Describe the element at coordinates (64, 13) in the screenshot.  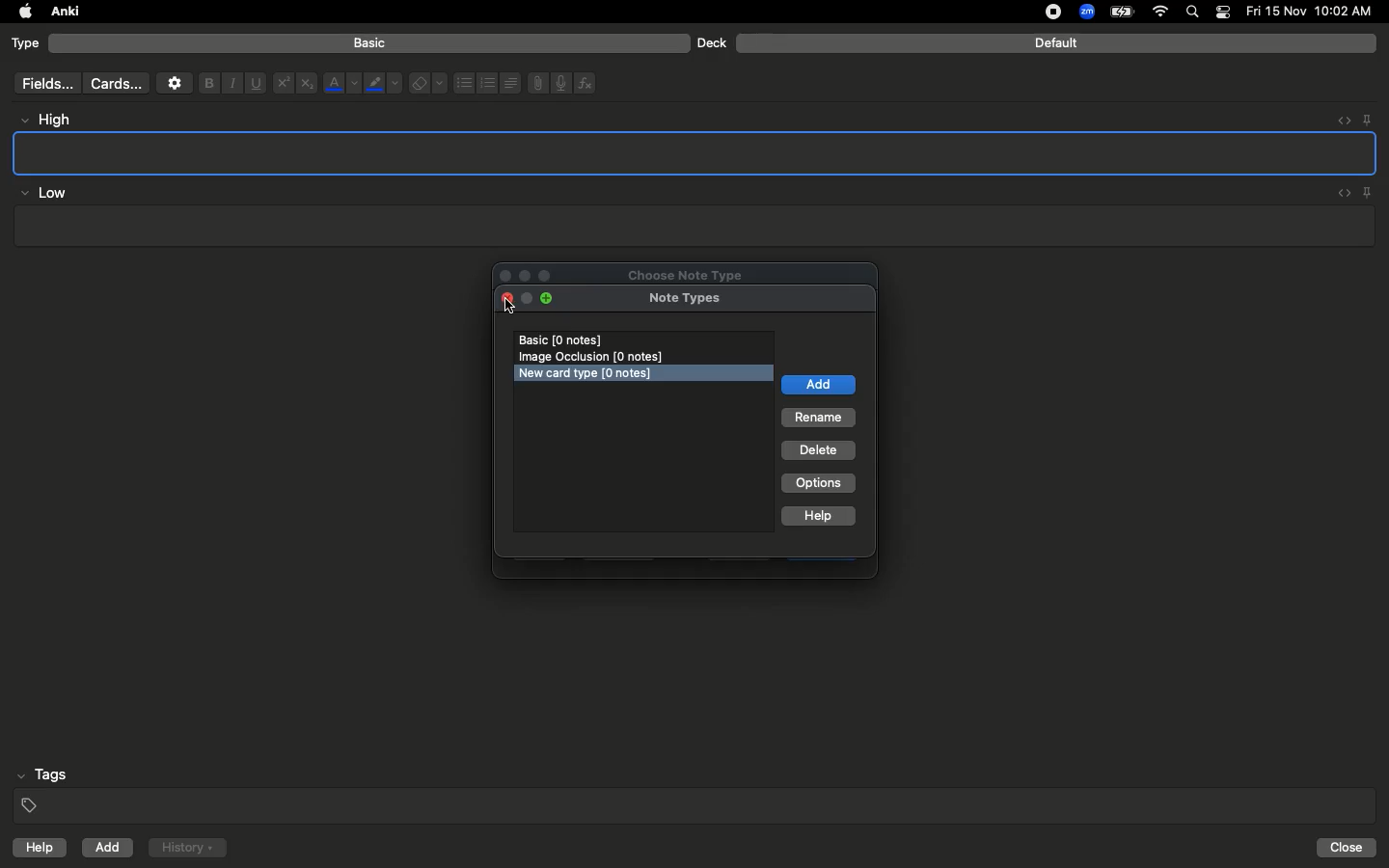
I see `Anki` at that location.